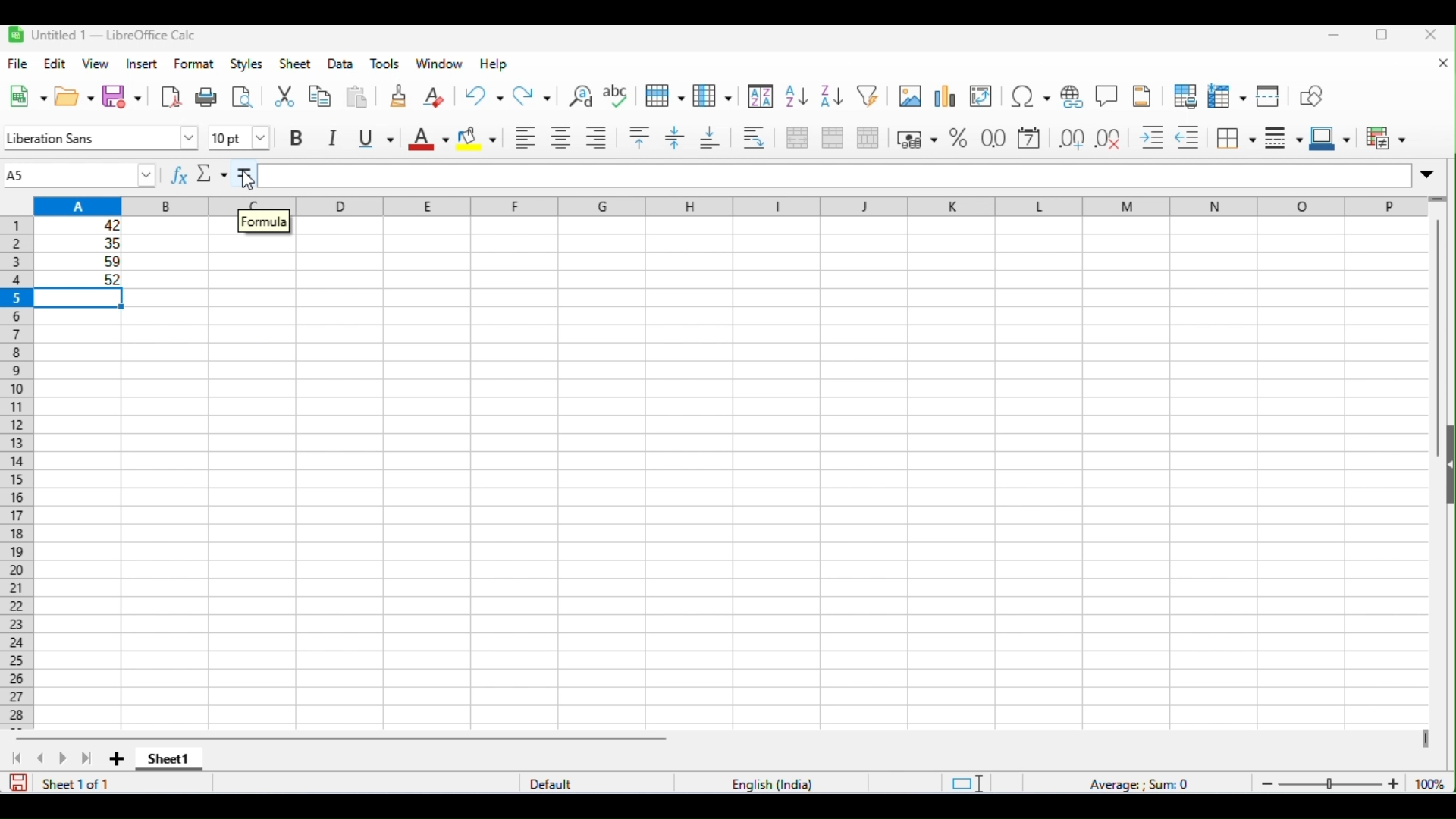  Describe the element at coordinates (1311, 97) in the screenshot. I see `show draw functions` at that location.